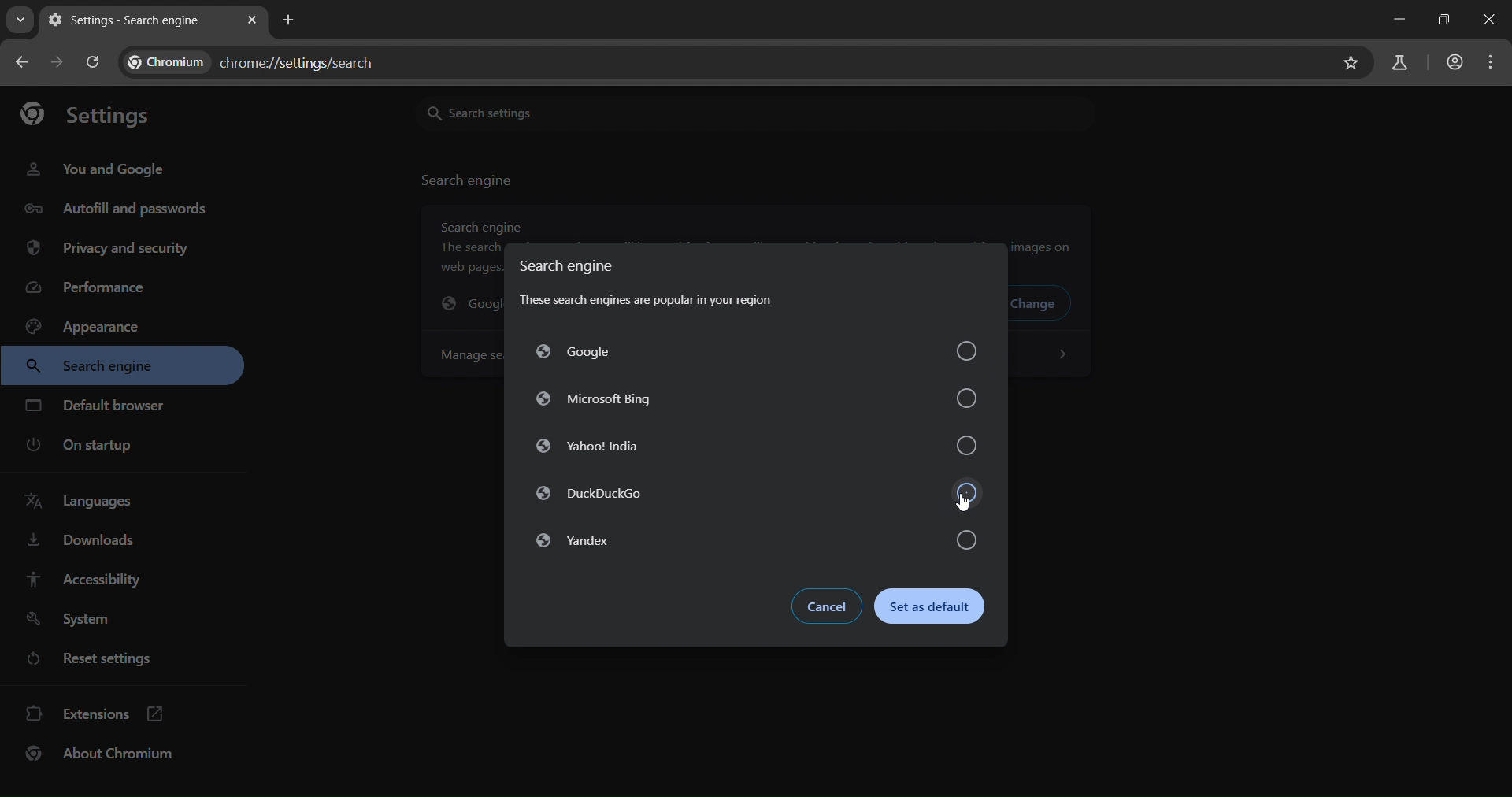  Describe the element at coordinates (128, 20) in the screenshot. I see `settings - search engine` at that location.